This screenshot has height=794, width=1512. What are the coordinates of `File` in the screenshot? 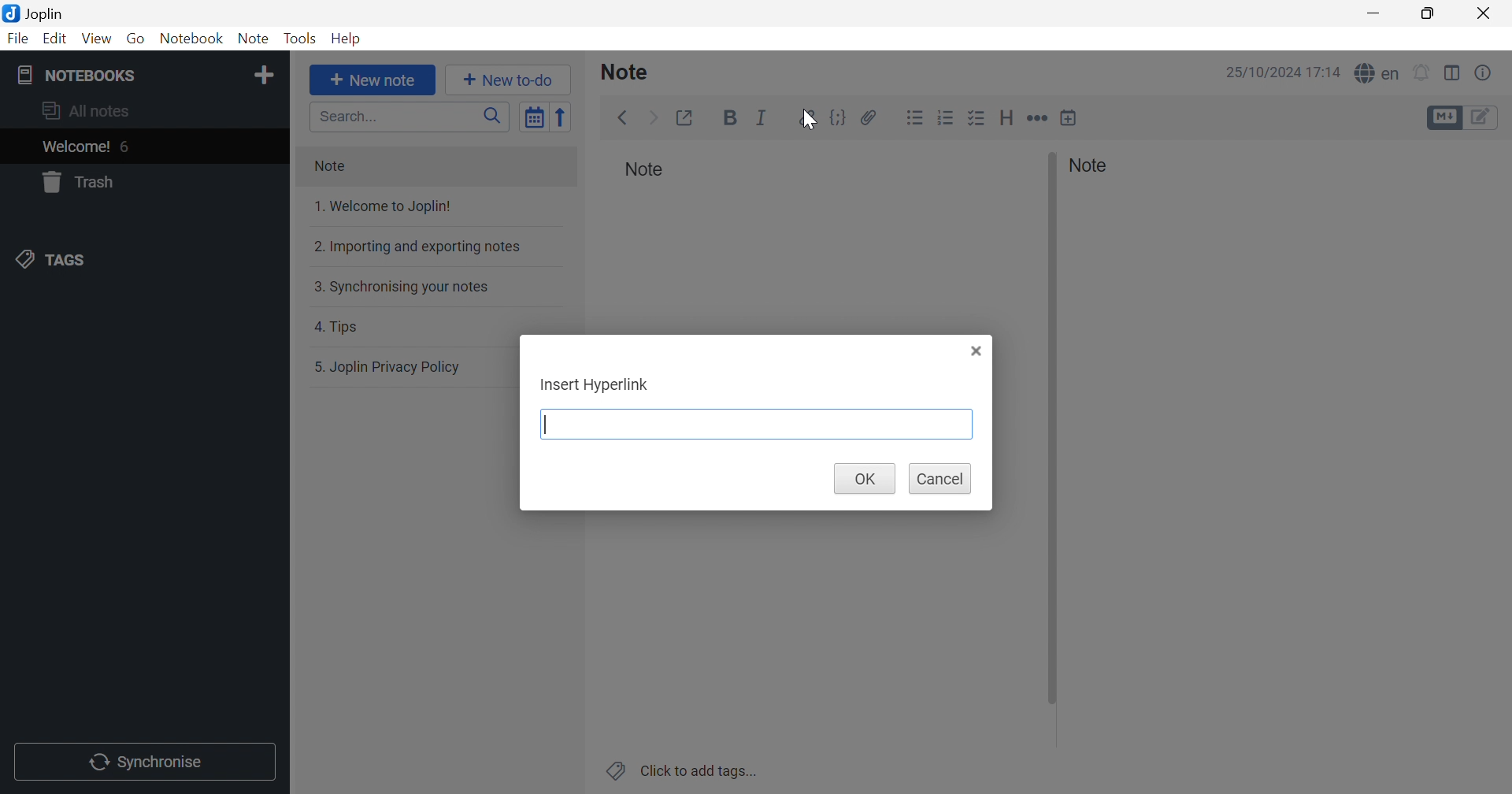 It's located at (17, 39).